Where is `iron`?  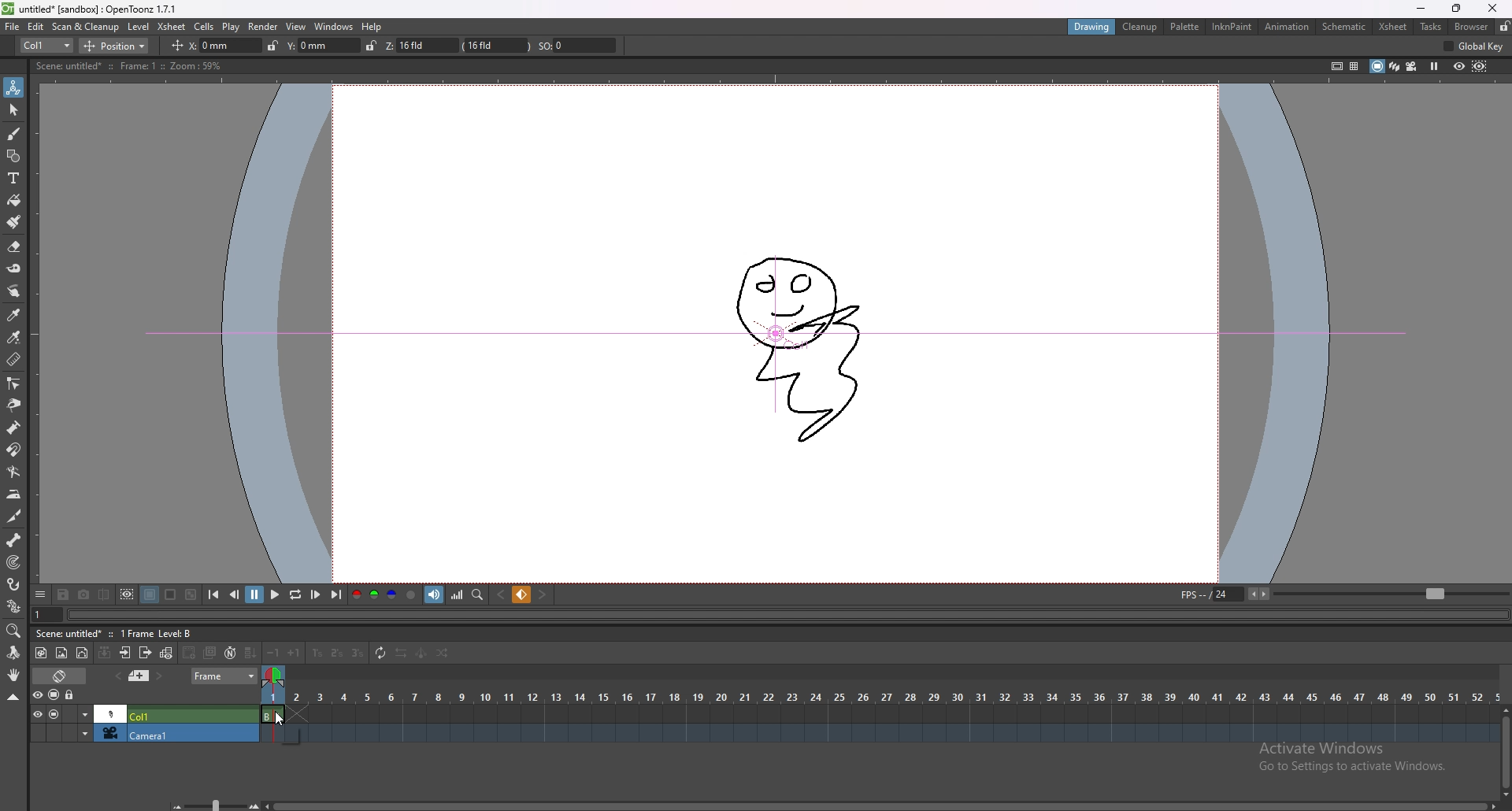 iron is located at coordinates (15, 494).